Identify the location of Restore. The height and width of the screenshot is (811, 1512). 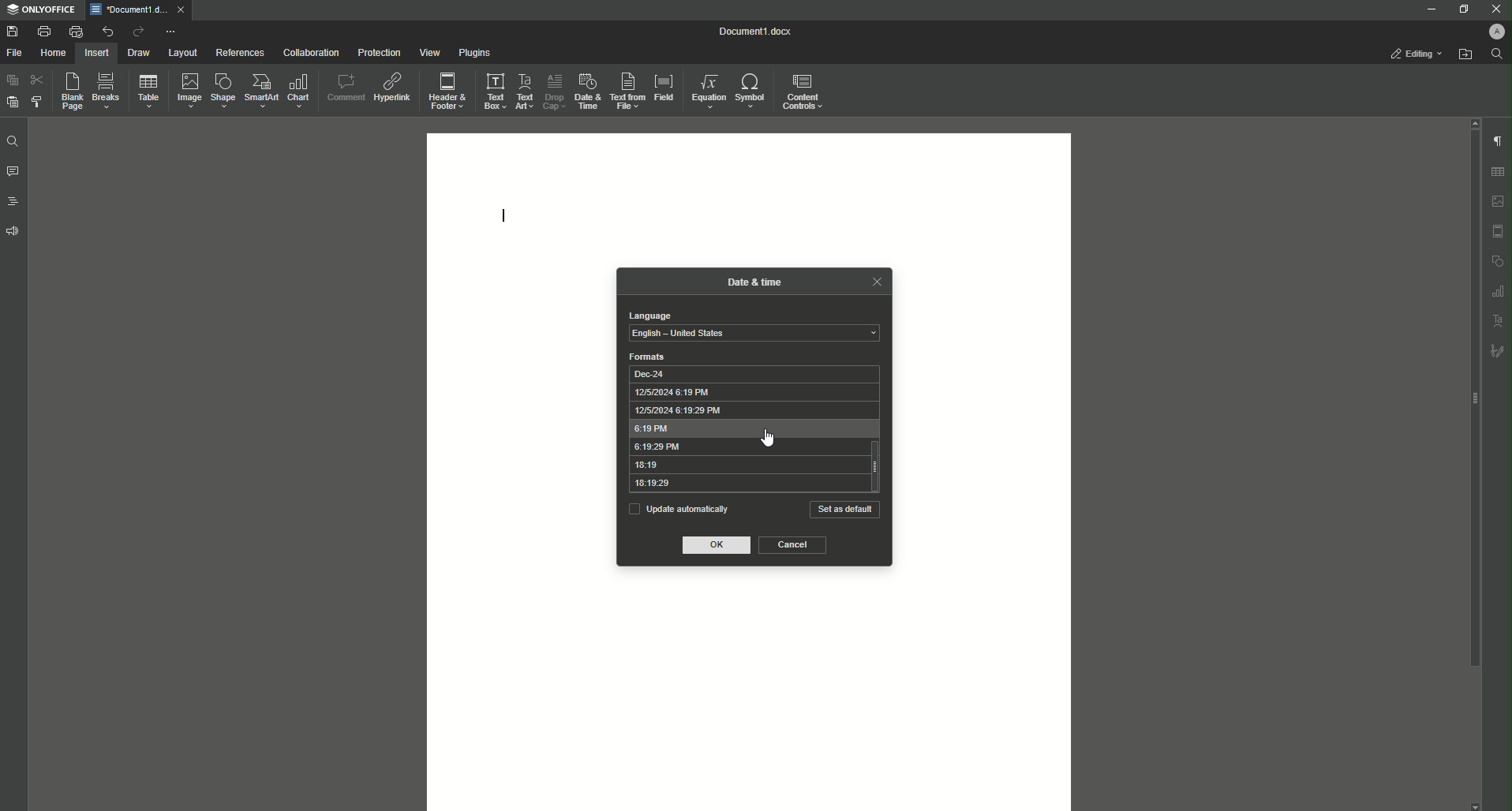
(1460, 9).